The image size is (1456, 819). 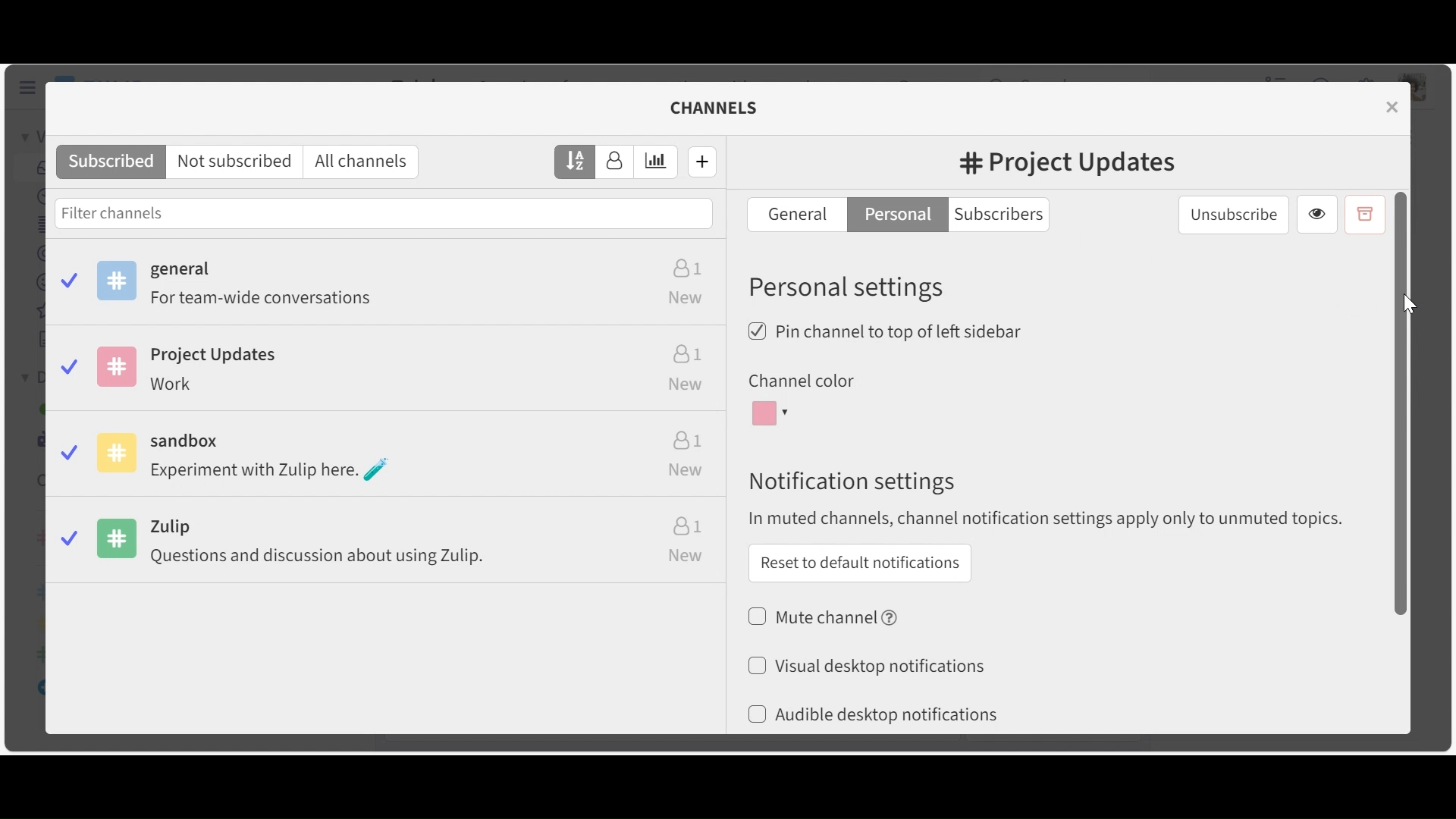 I want to click on (un)select Audible desktop notifications, so click(x=871, y=714).